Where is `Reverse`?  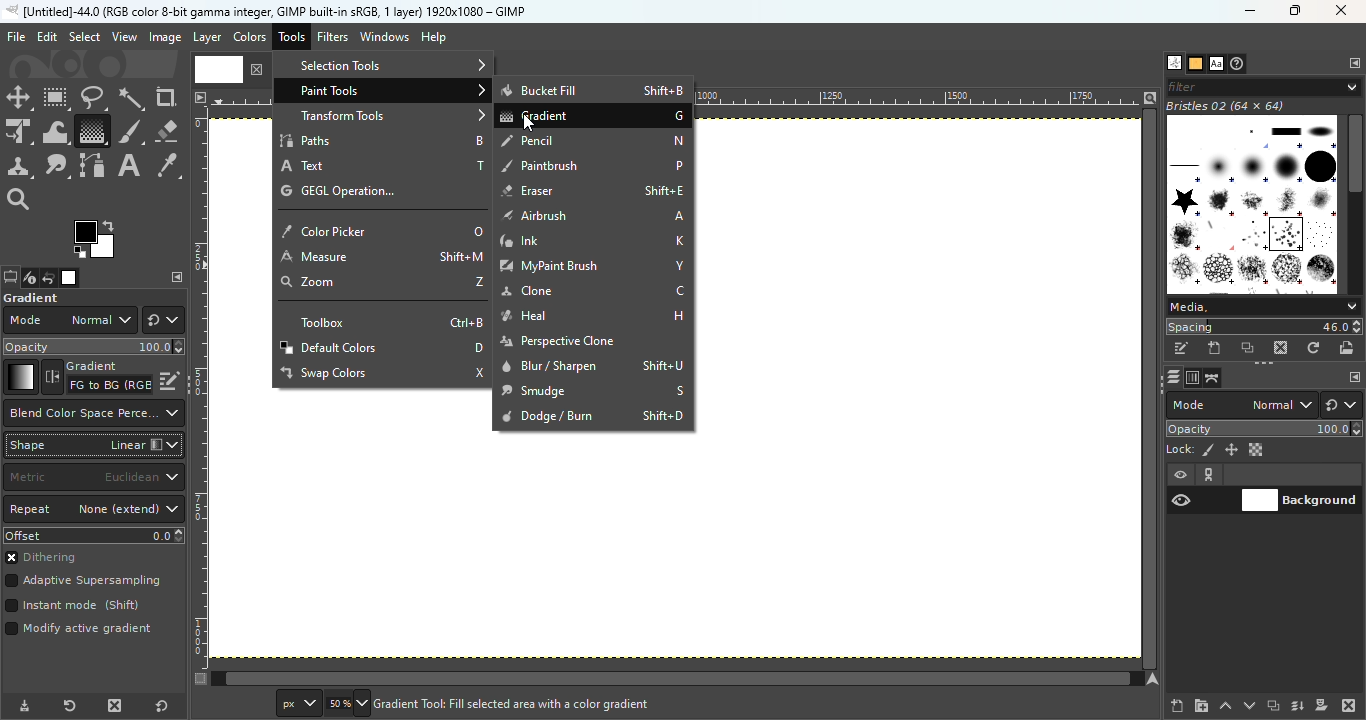
Reverse is located at coordinates (97, 377).